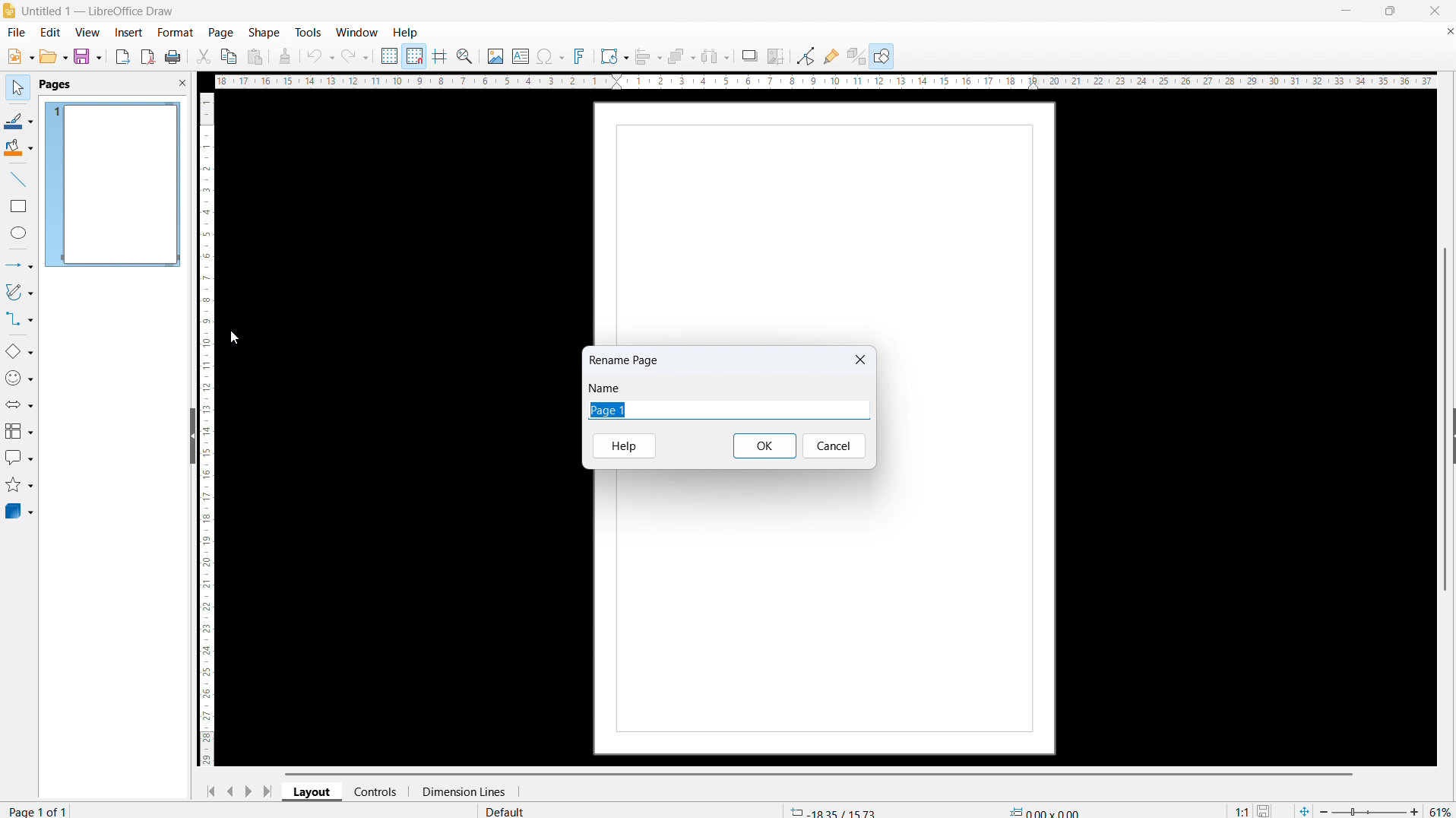 The image size is (1456, 818). What do you see at coordinates (236, 337) in the screenshot?
I see `Cursor` at bounding box center [236, 337].